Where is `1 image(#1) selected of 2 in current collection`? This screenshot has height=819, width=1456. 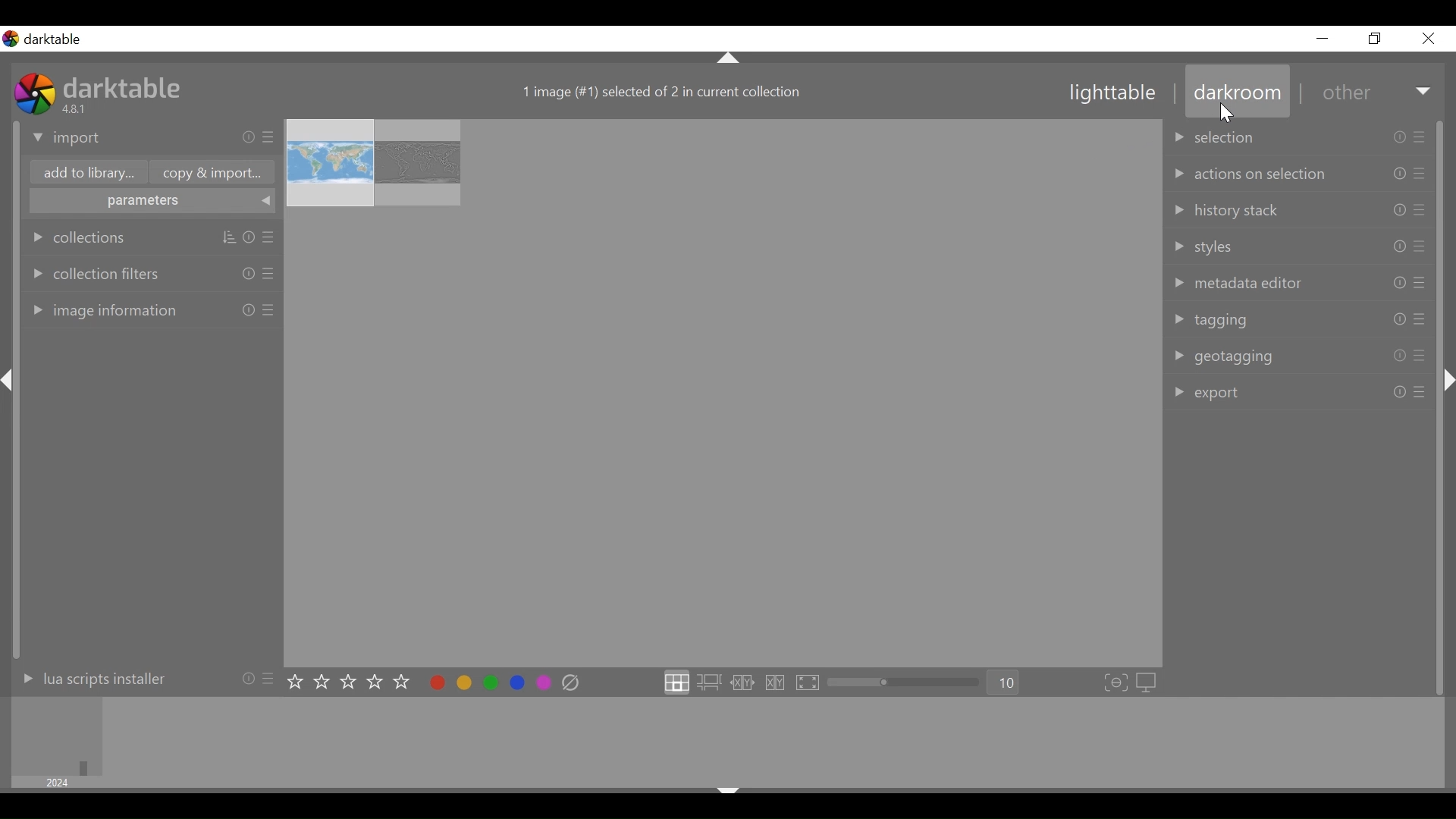
1 image(#1) selected of 2 in current collection is located at coordinates (661, 93).